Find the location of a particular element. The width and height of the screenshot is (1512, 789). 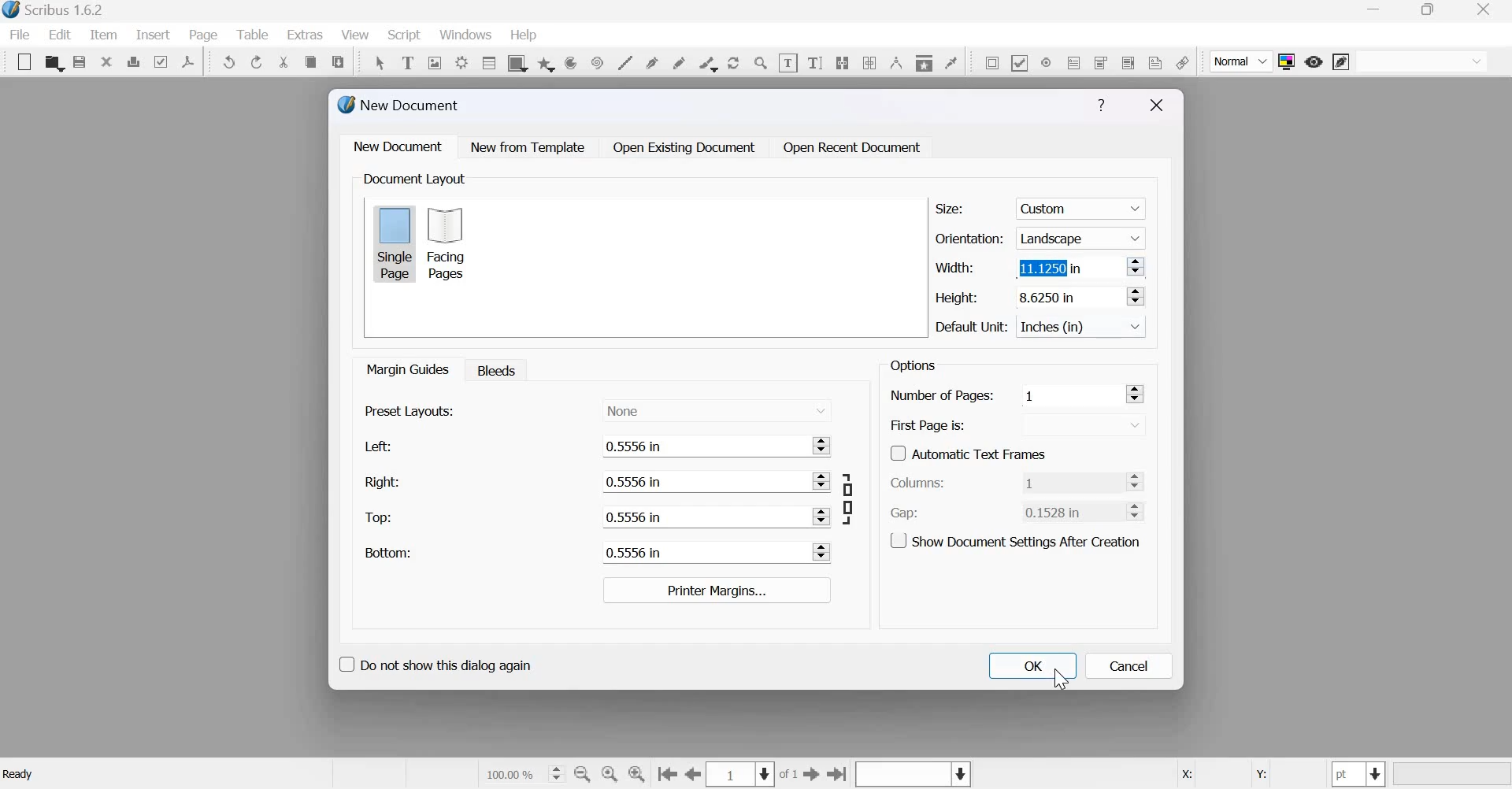

Single page is located at coordinates (395, 243).